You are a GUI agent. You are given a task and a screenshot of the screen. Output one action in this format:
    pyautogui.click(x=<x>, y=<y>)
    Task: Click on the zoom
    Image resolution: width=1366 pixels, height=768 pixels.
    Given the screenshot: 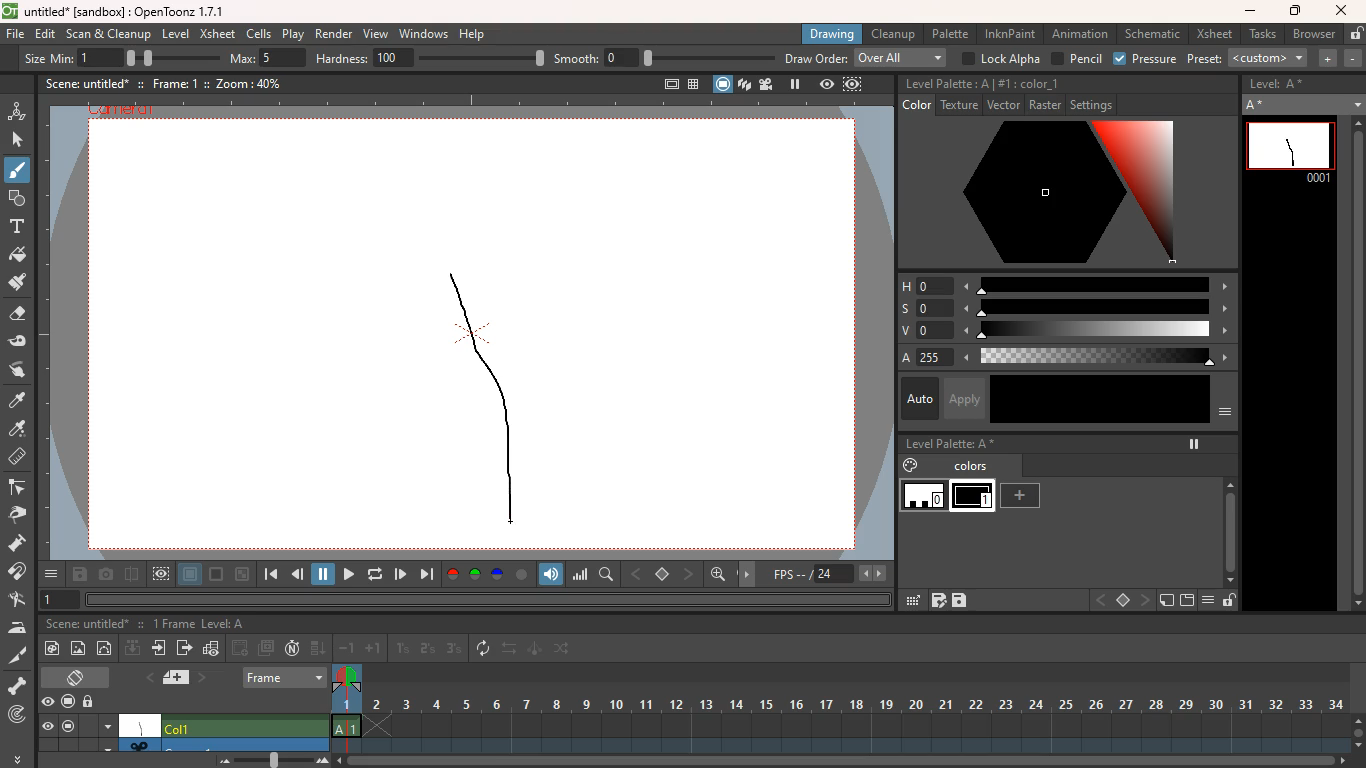 What is the action you would take?
    pyautogui.click(x=1358, y=730)
    